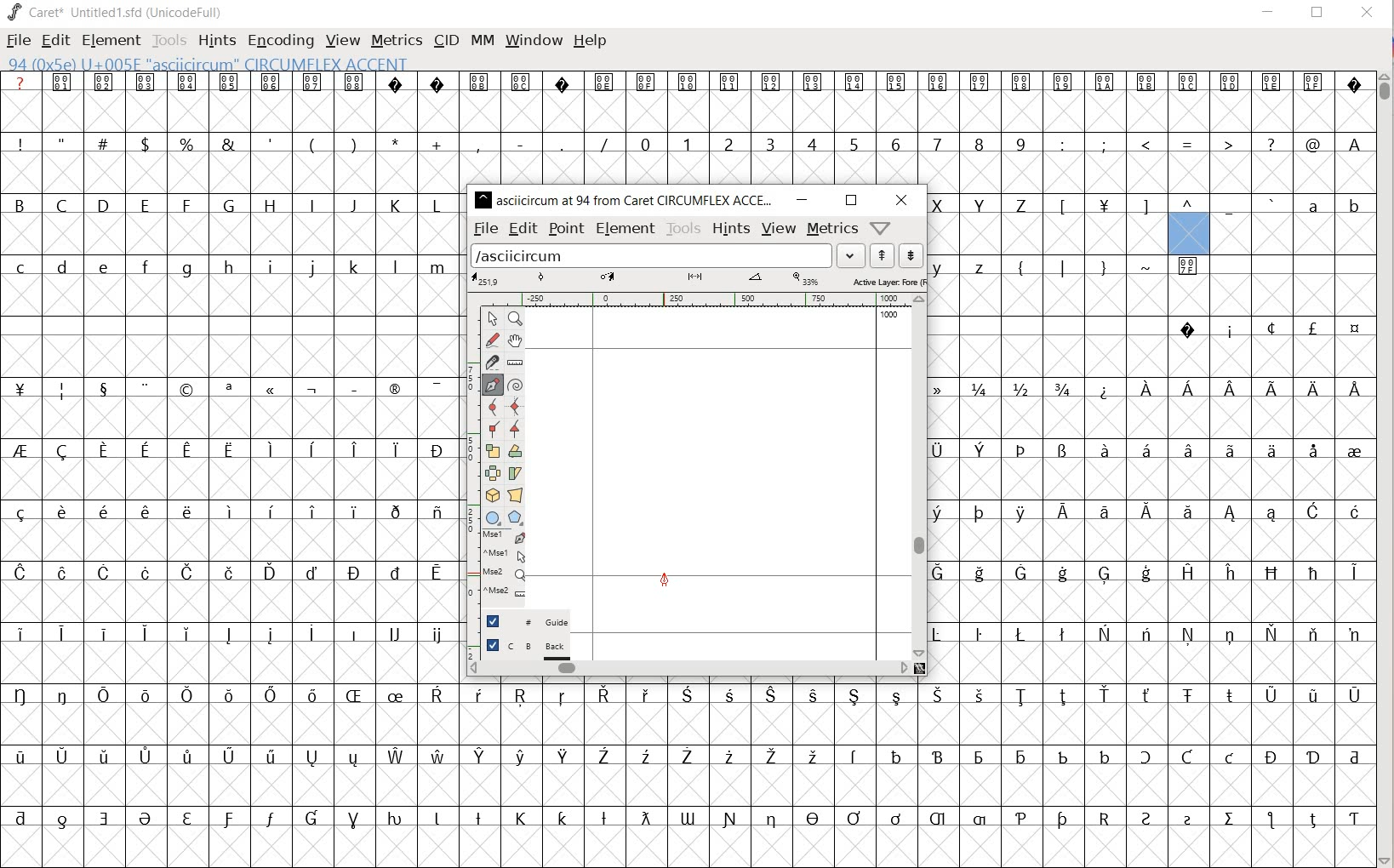 The image size is (1394, 868). What do you see at coordinates (850, 201) in the screenshot?
I see `restore down` at bounding box center [850, 201].